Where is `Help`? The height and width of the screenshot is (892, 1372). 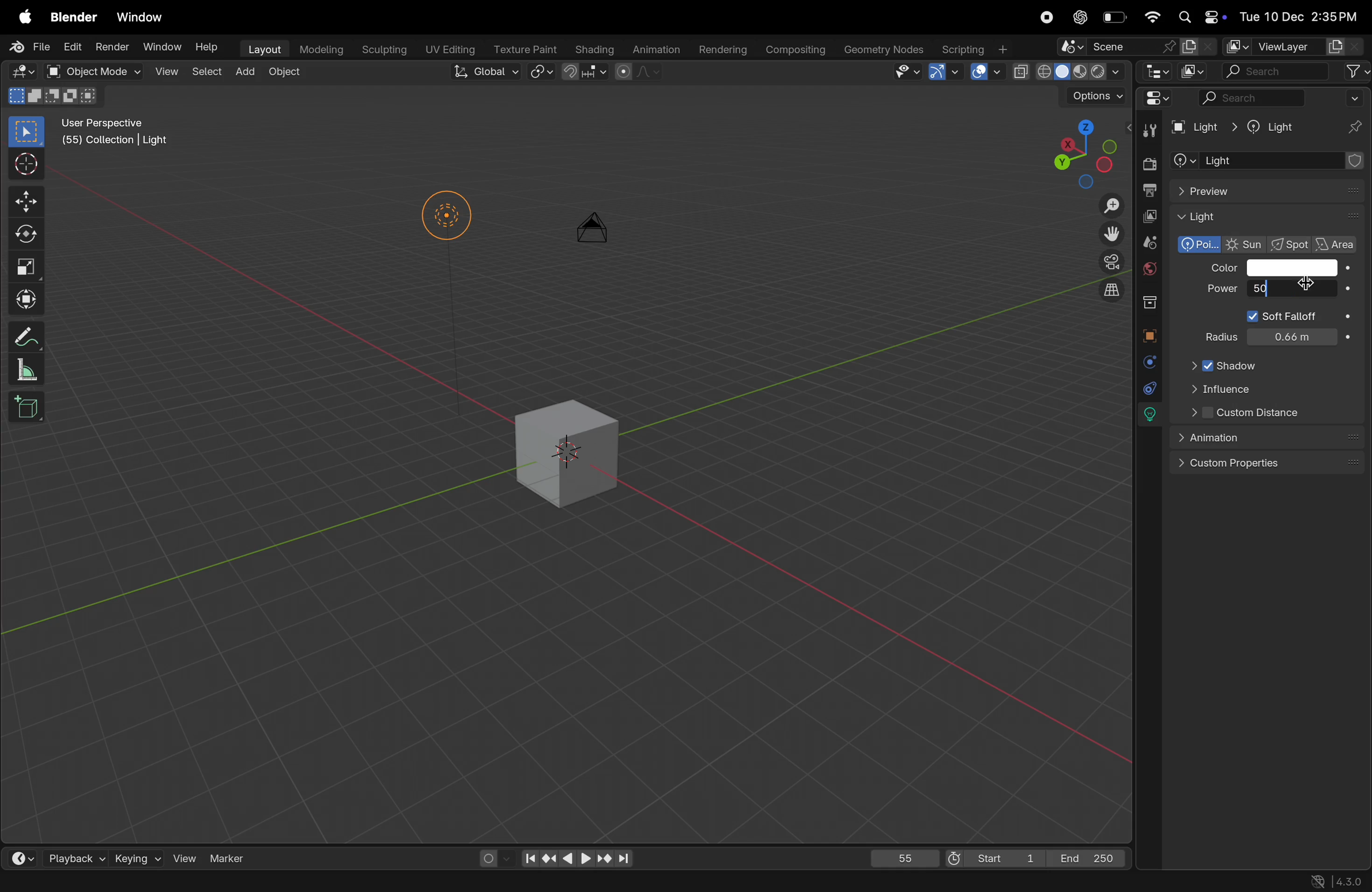 Help is located at coordinates (208, 48).